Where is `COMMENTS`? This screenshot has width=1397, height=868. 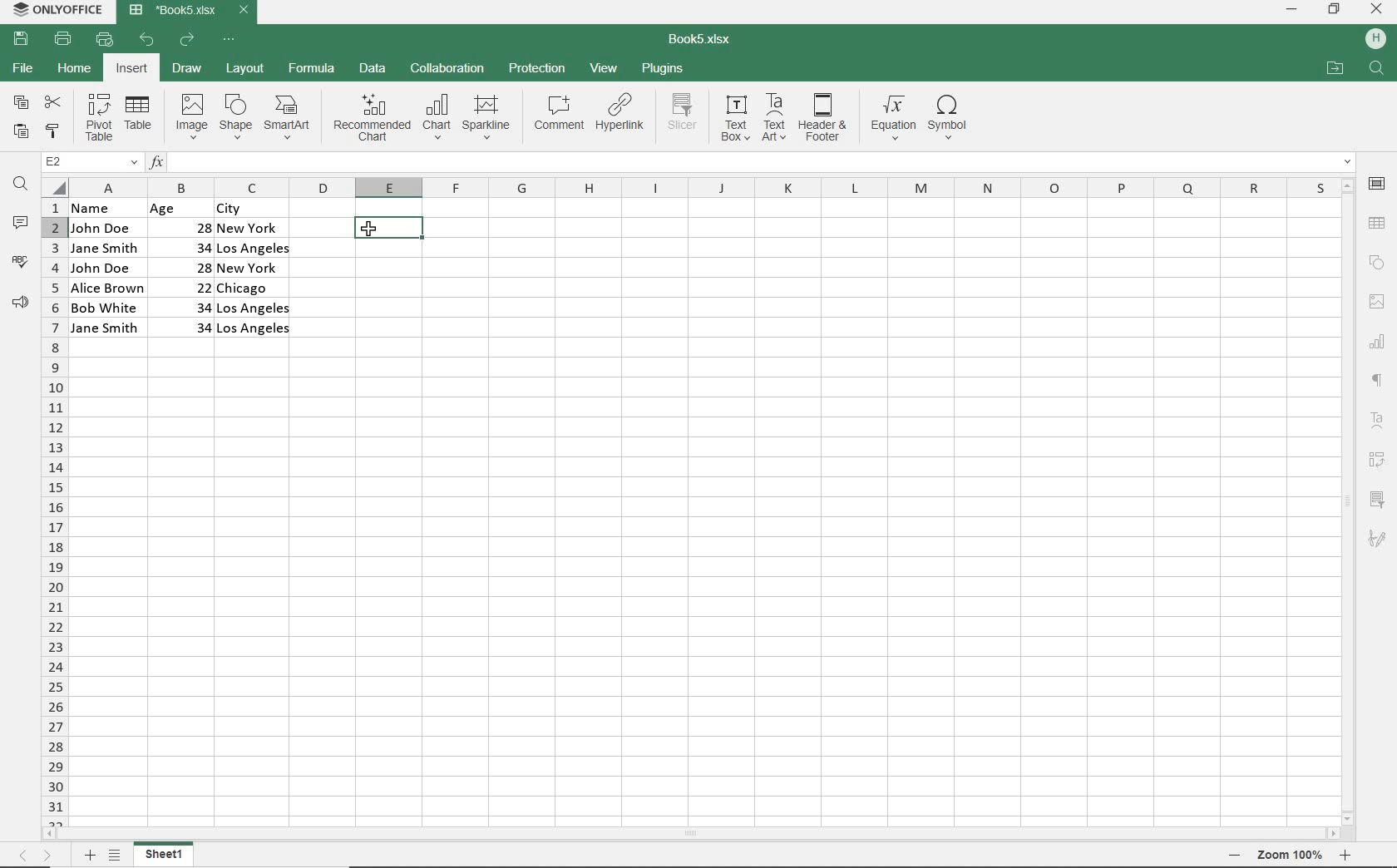 COMMENTS is located at coordinates (20, 224).